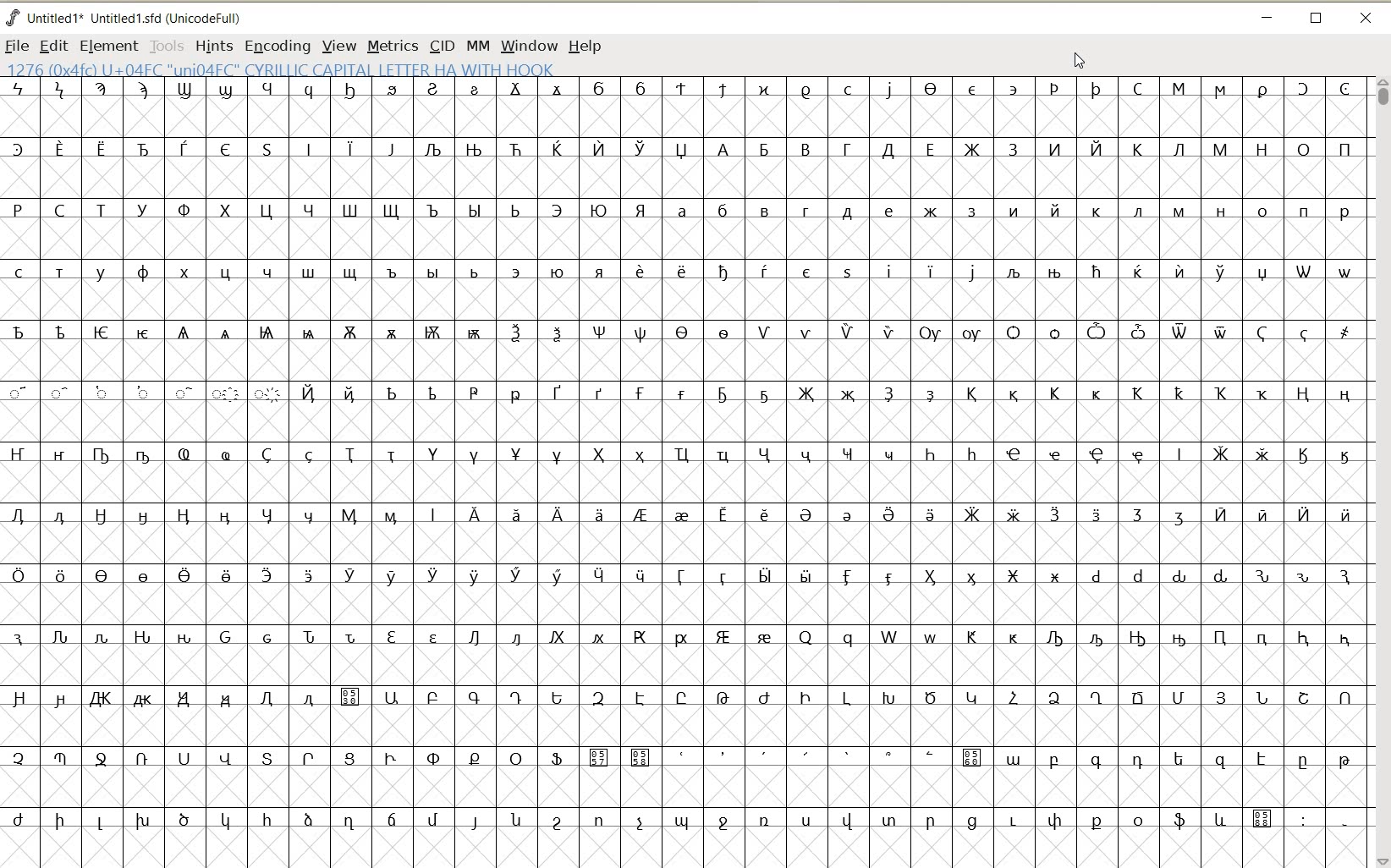  I want to click on ENCODING, so click(278, 45).